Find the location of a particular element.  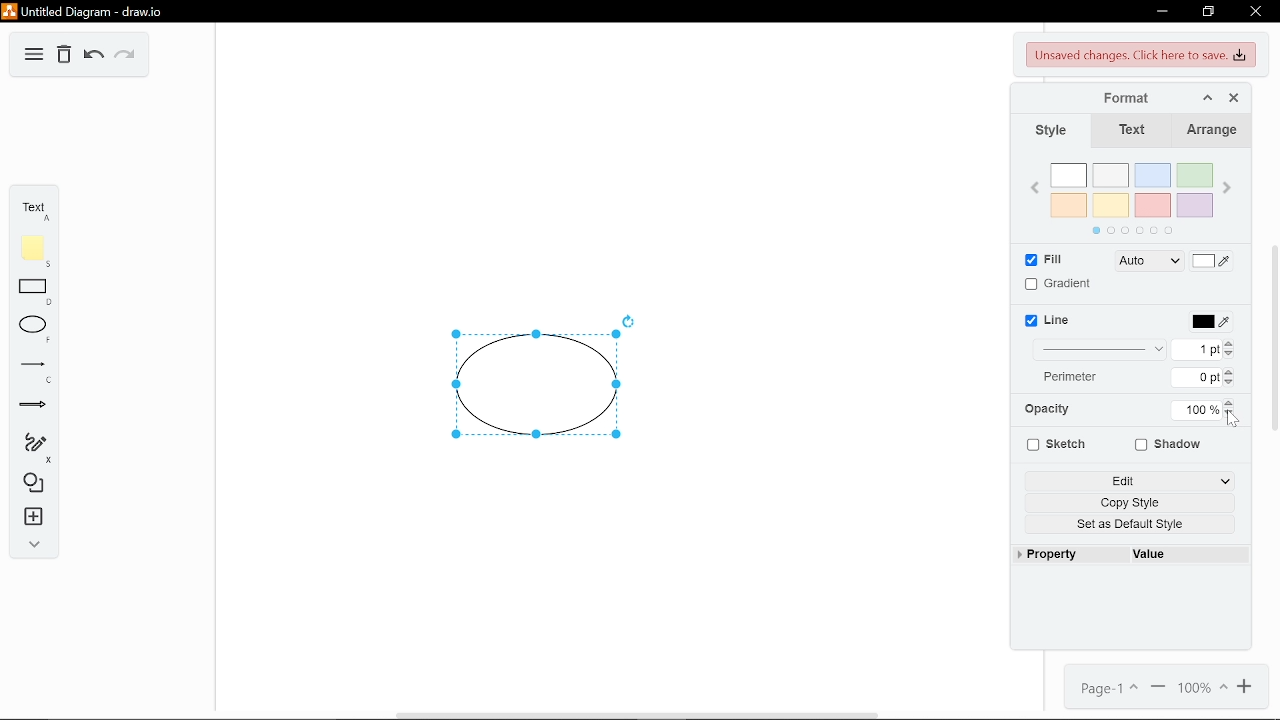

Ellipse is located at coordinates (34, 327).